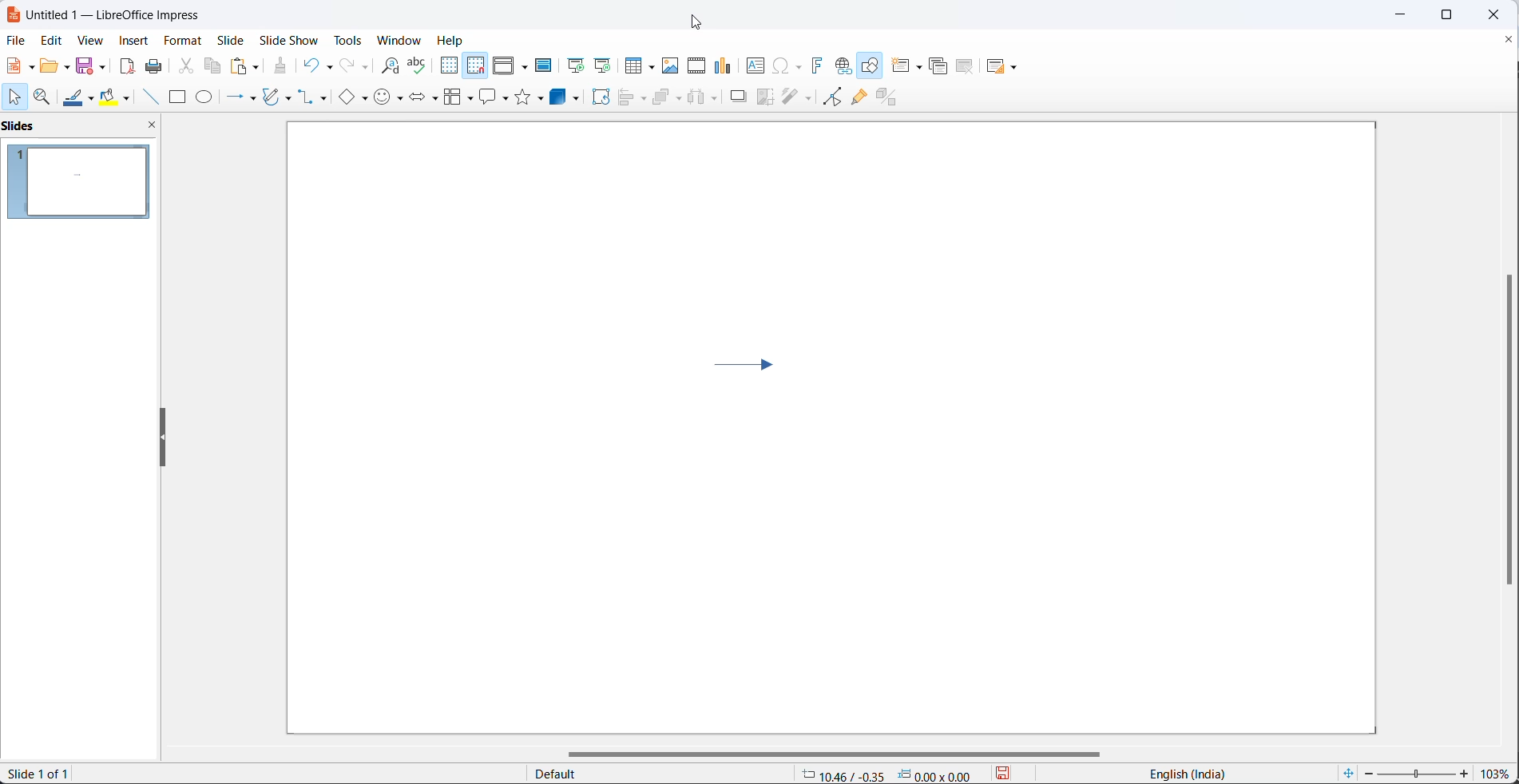  I want to click on clone formatting, so click(280, 65).